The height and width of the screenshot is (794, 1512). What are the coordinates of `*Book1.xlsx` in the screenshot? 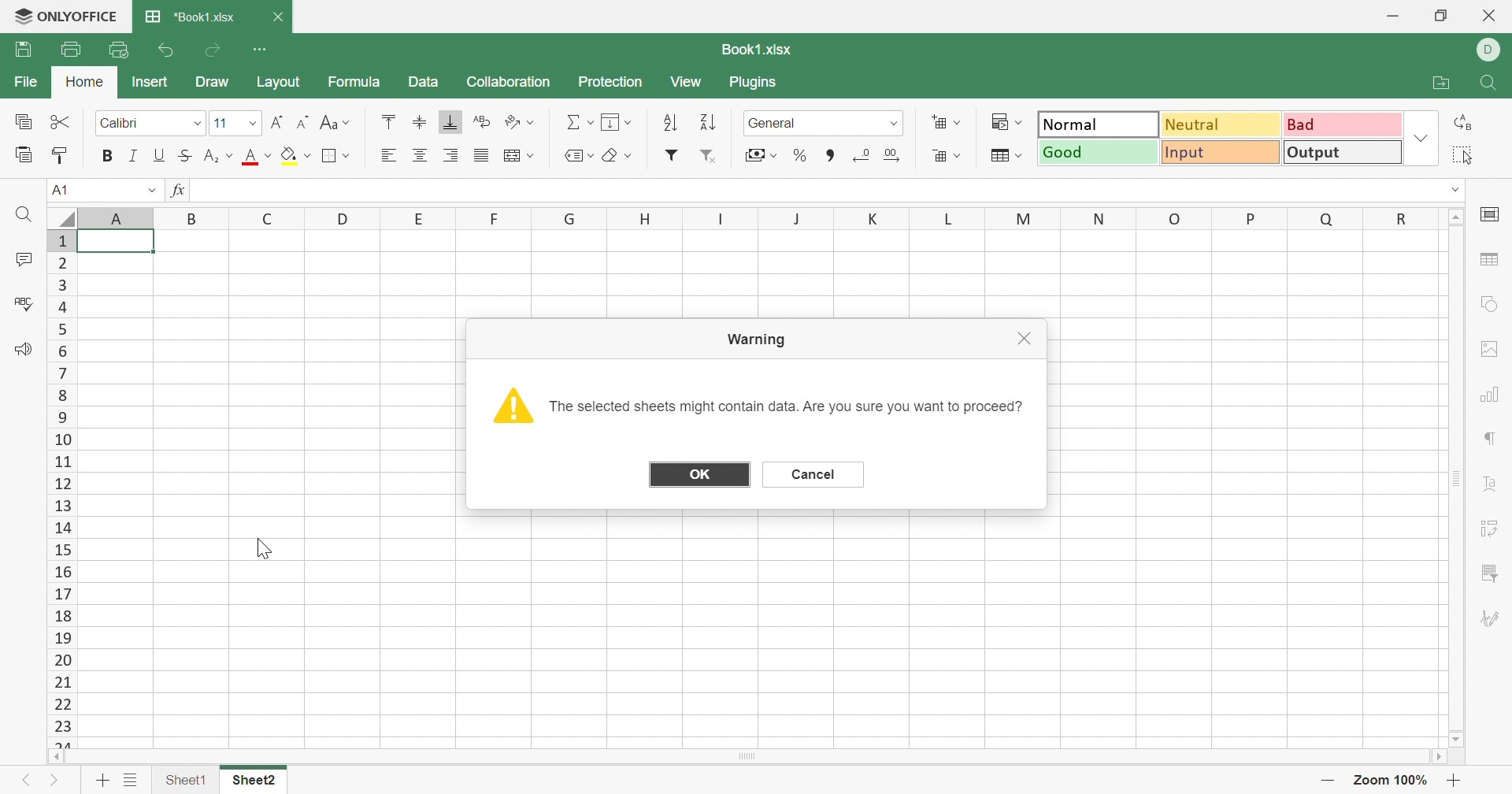 It's located at (194, 14).